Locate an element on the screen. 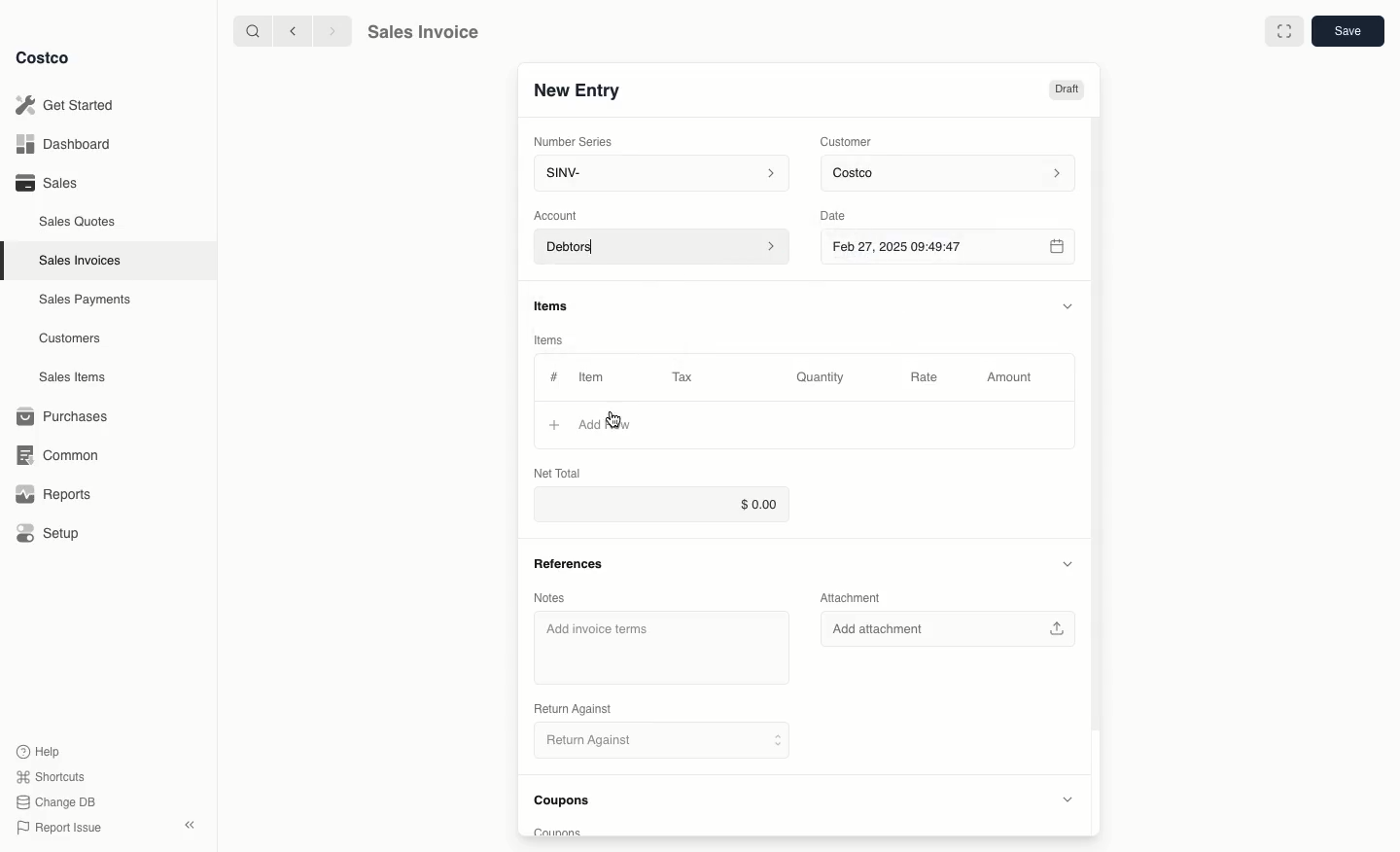  Dashboard is located at coordinates (68, 145).